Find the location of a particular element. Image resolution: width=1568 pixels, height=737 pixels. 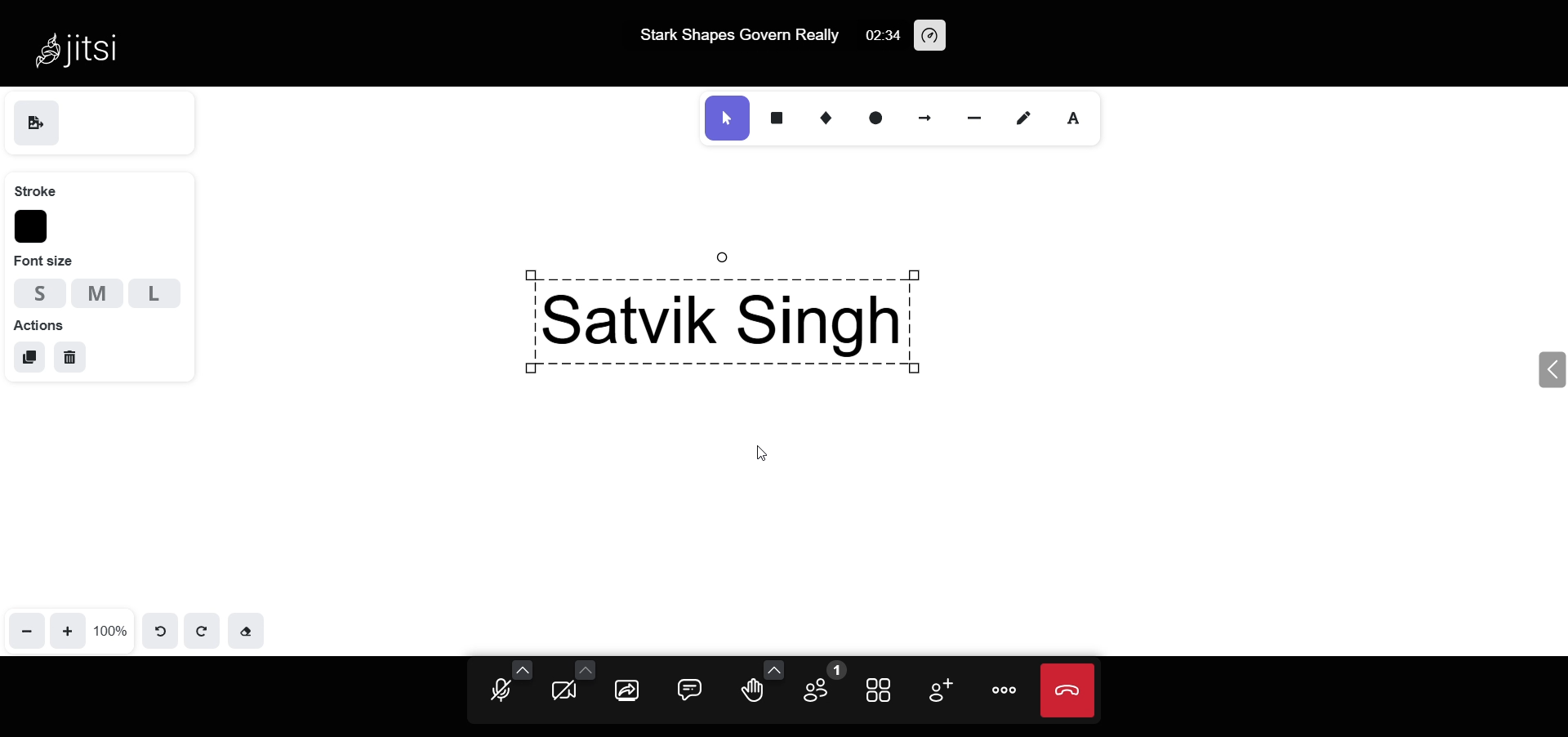

arrow is located at coordinates (927, 116).